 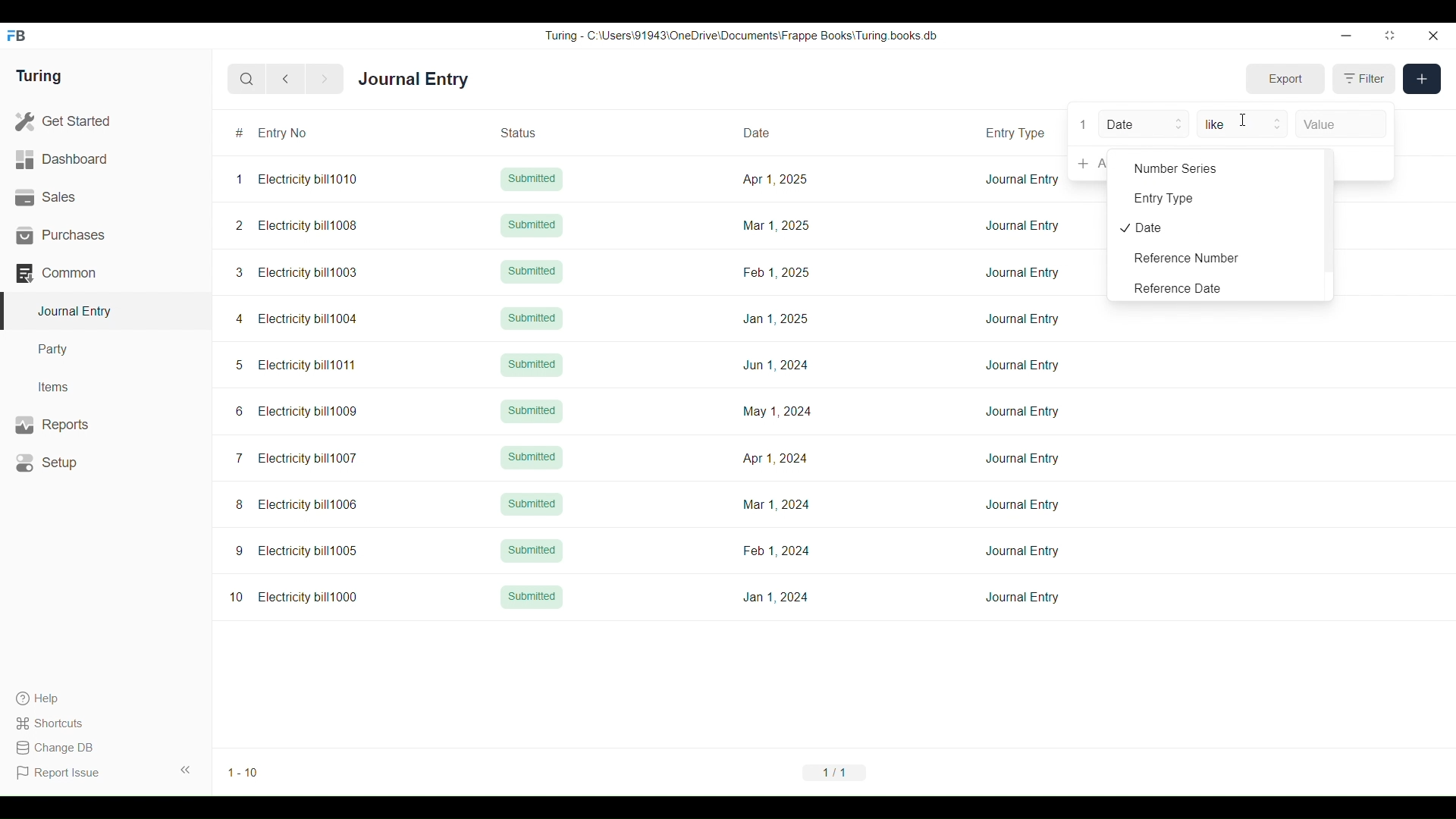 What do you see at coordinates (1018, 131) in the screenshot?
I see `Entry Type` at bounding box center [1018, 131].